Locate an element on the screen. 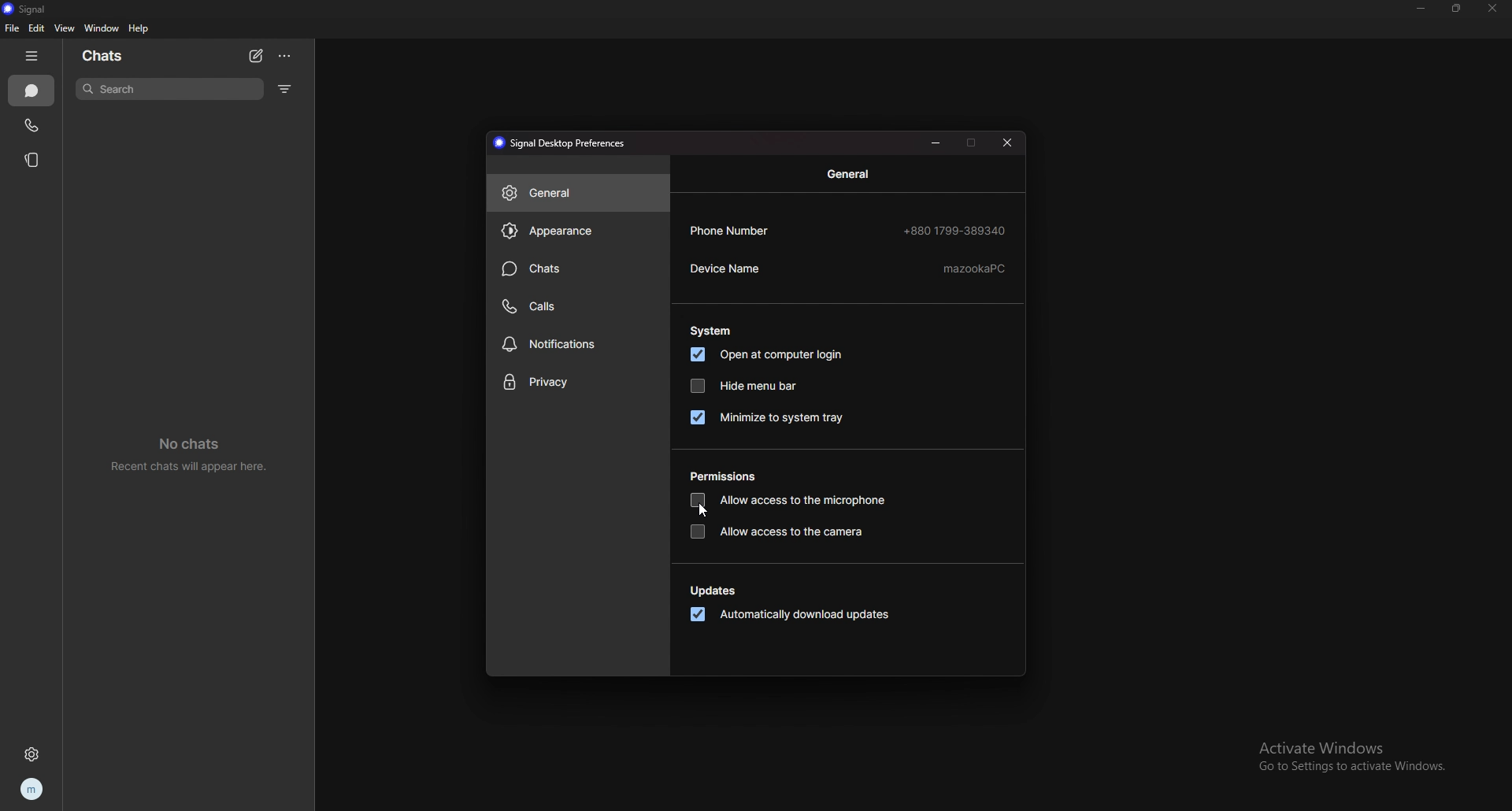  chats is located at coordinates (578, 269).